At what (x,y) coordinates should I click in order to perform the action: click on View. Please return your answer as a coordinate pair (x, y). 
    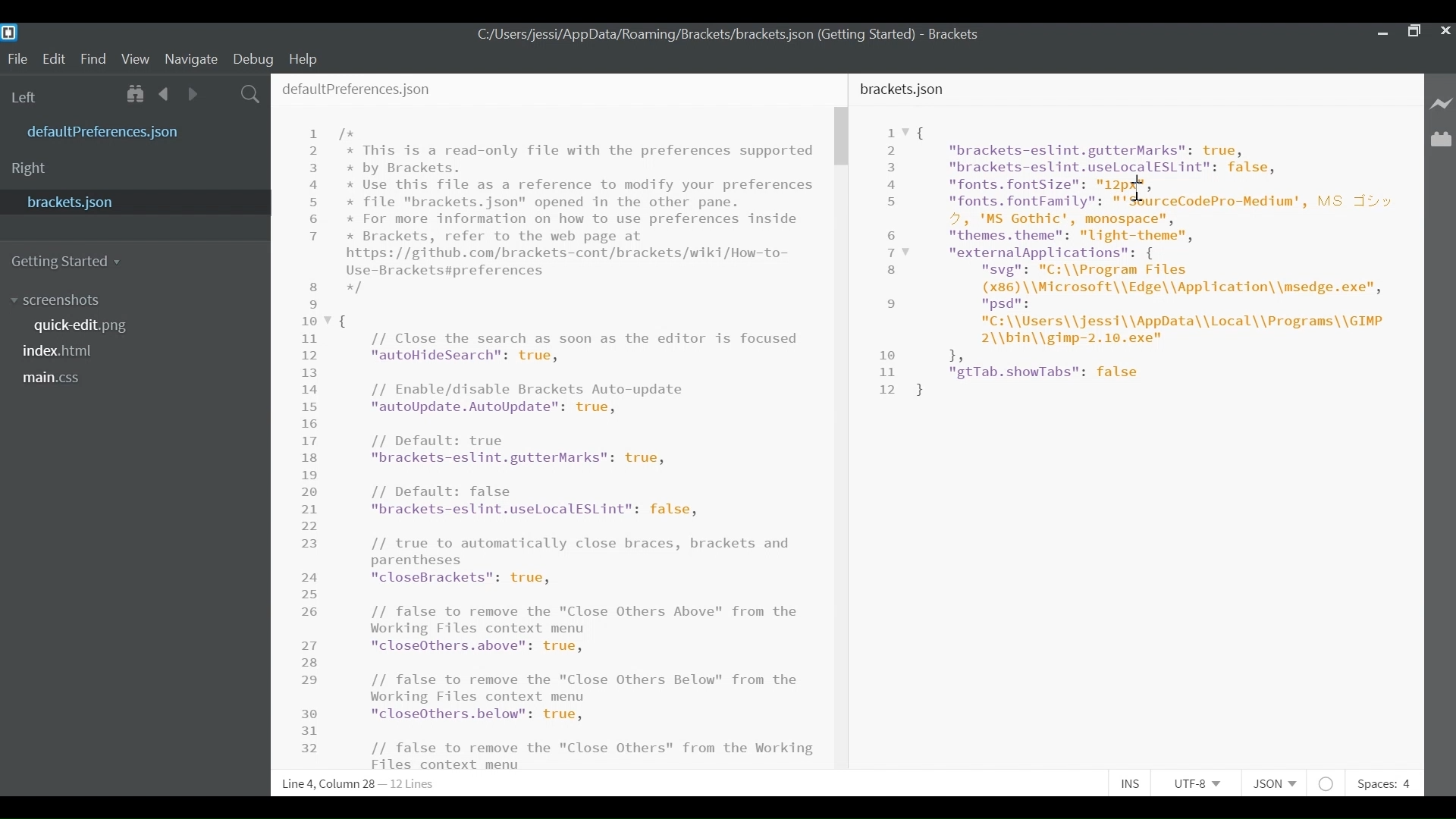
    Looking at the image, I should click on (136, 58).